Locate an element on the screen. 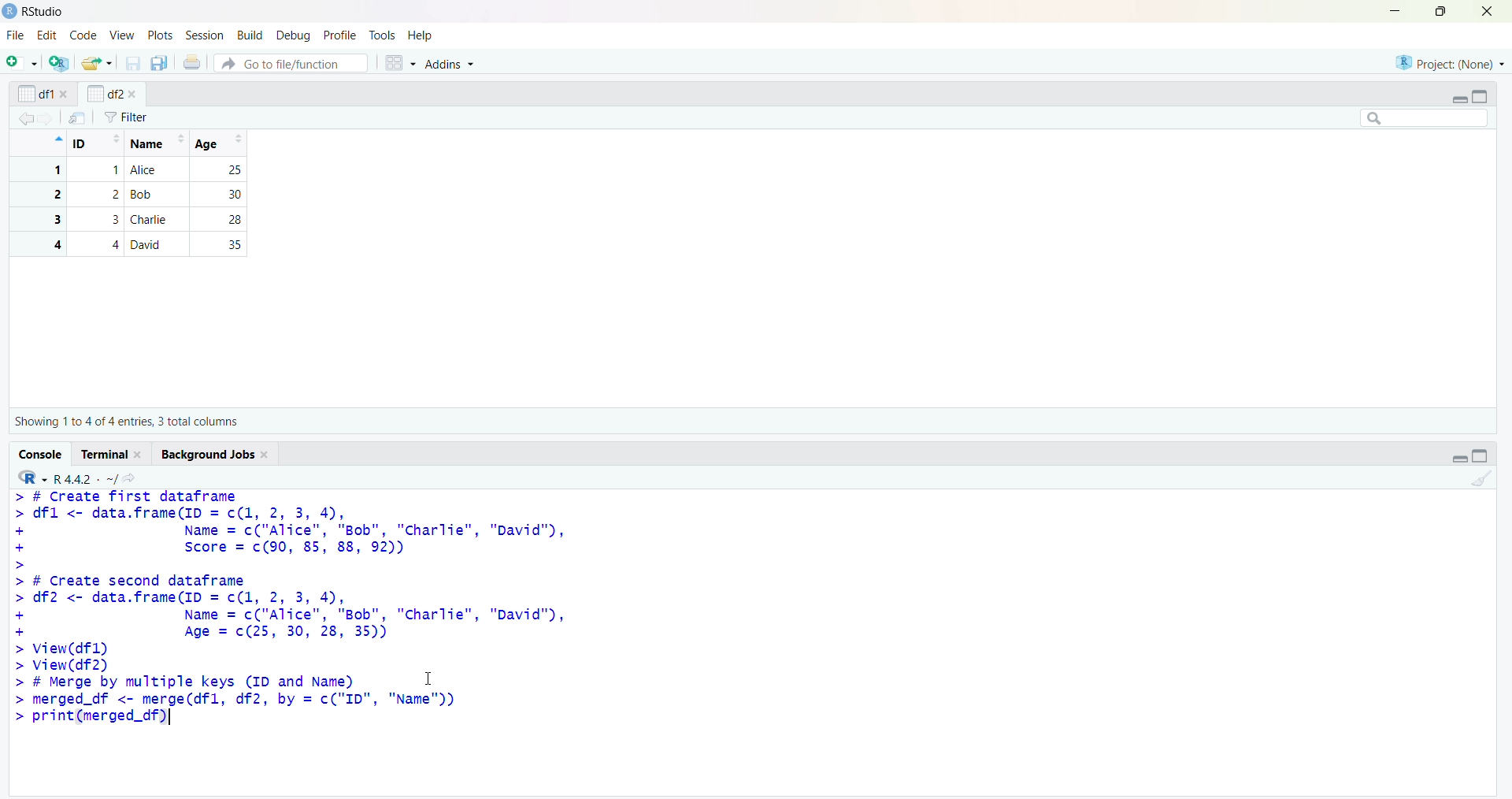 This screenshot has height=799, width=1512. Background jobs is located at coordinates (208, 455).